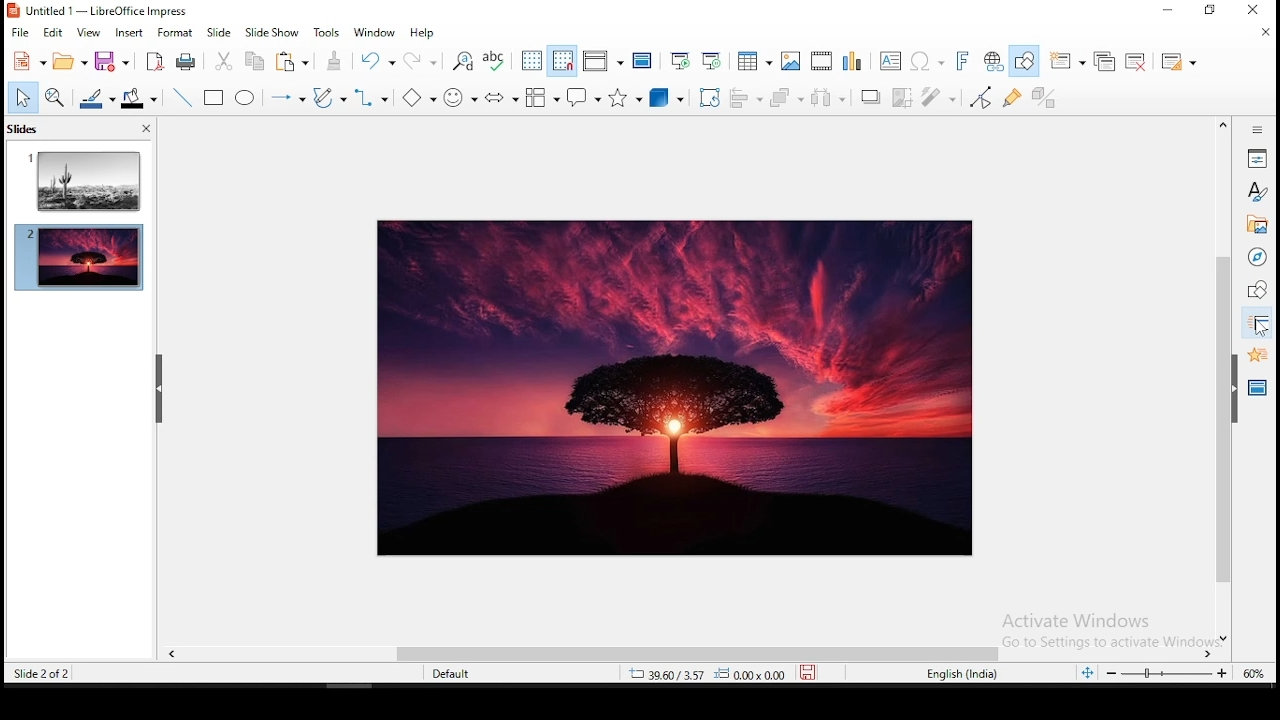 Image resolution: width=1280 pixels, height=720 pixels. I want to click on default, so click(466, 675).